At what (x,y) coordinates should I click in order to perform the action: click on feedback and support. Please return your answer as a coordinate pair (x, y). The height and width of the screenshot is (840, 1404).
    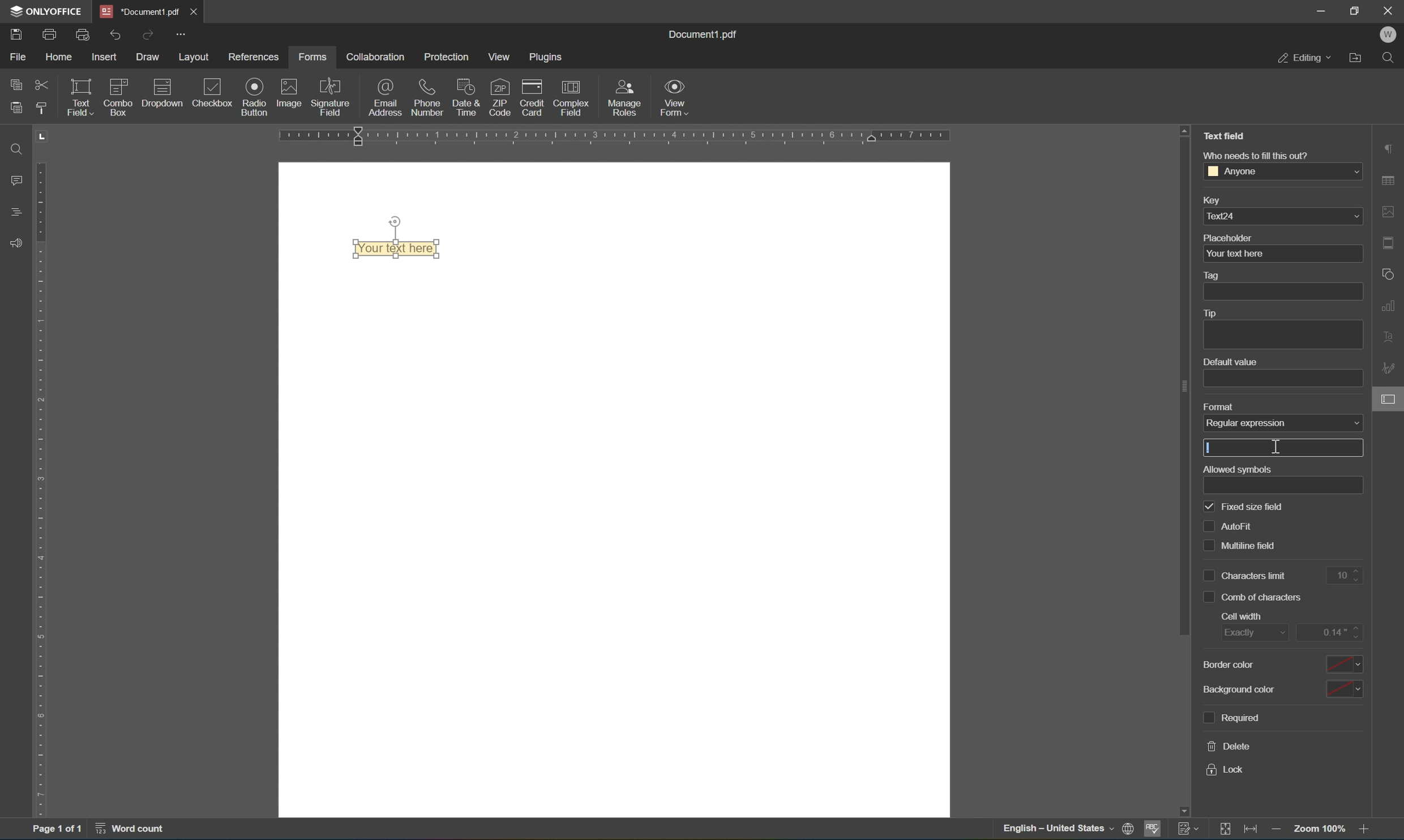
    Looking at the image, I should click on (16, 244).